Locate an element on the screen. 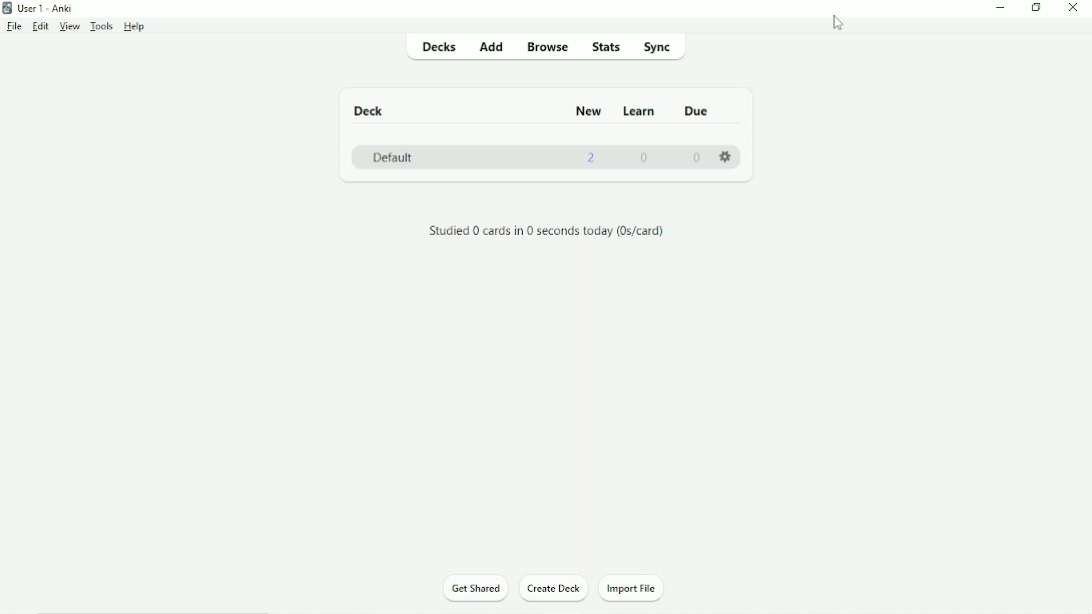 The height and width of the screenshot is (614, 1092). 2 is located at coordinates (594, 160).